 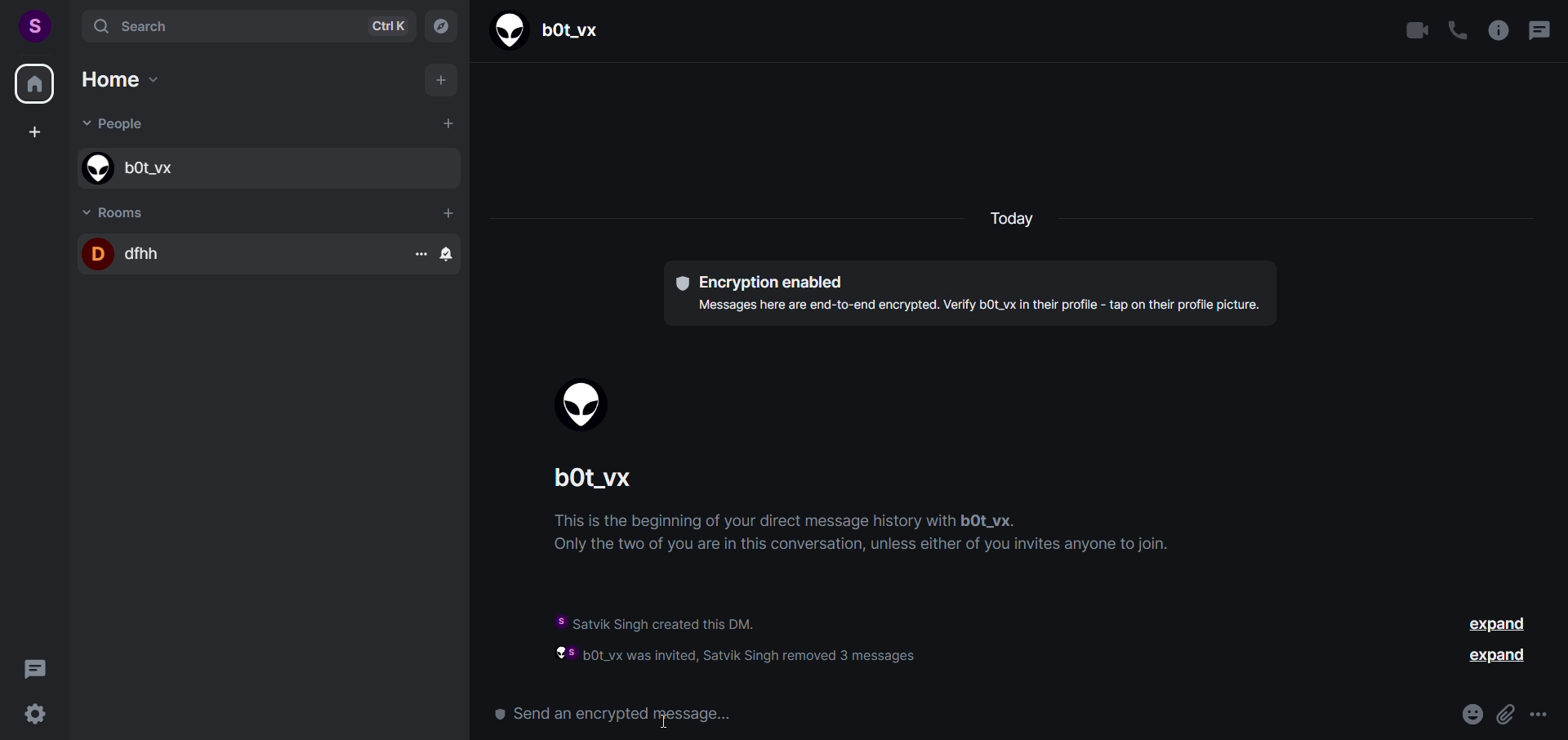 I want to click on room name, so click(x=237, y=253).